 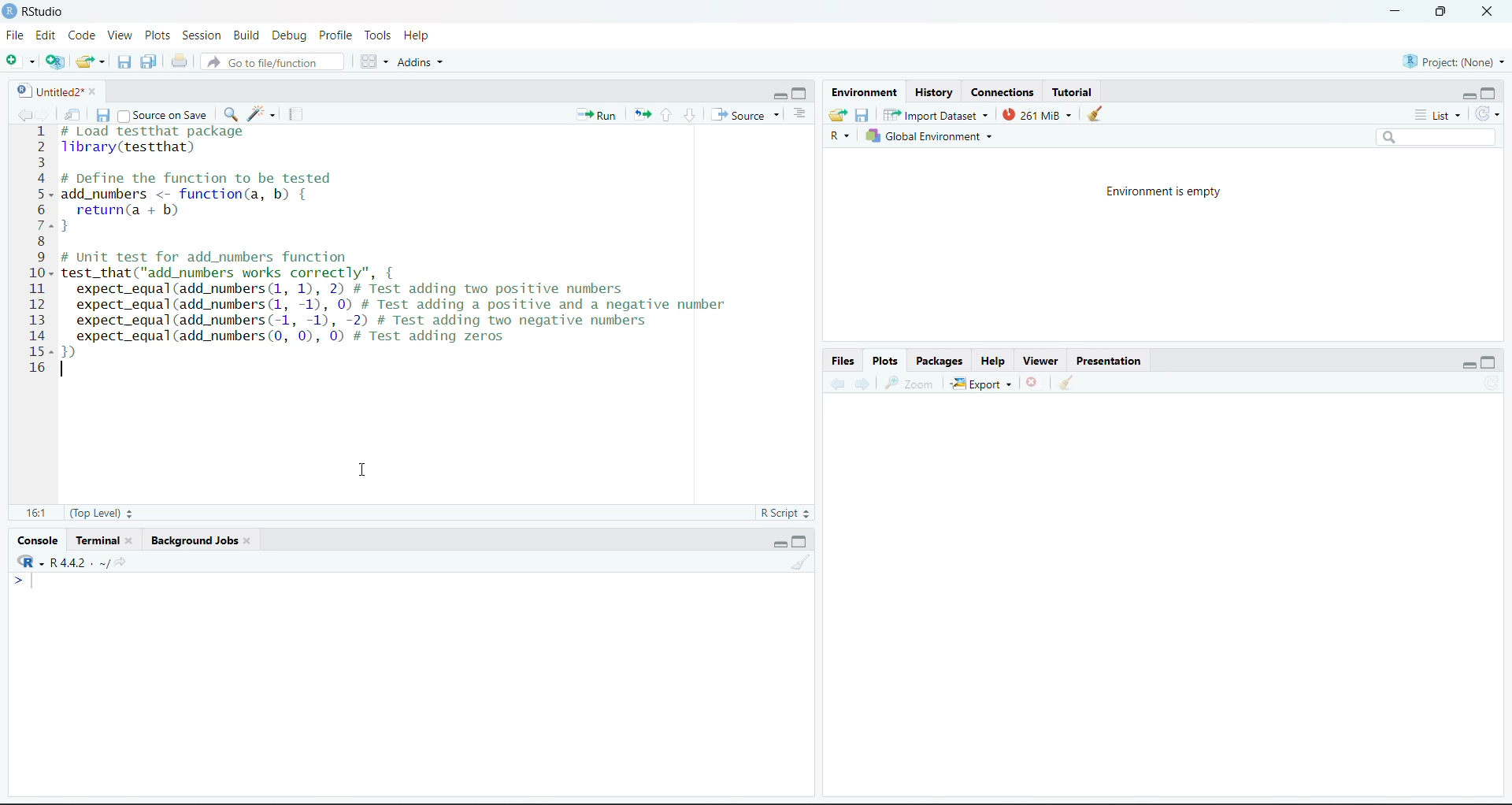 I want to click on minimize, so click(x=1468, y=95).